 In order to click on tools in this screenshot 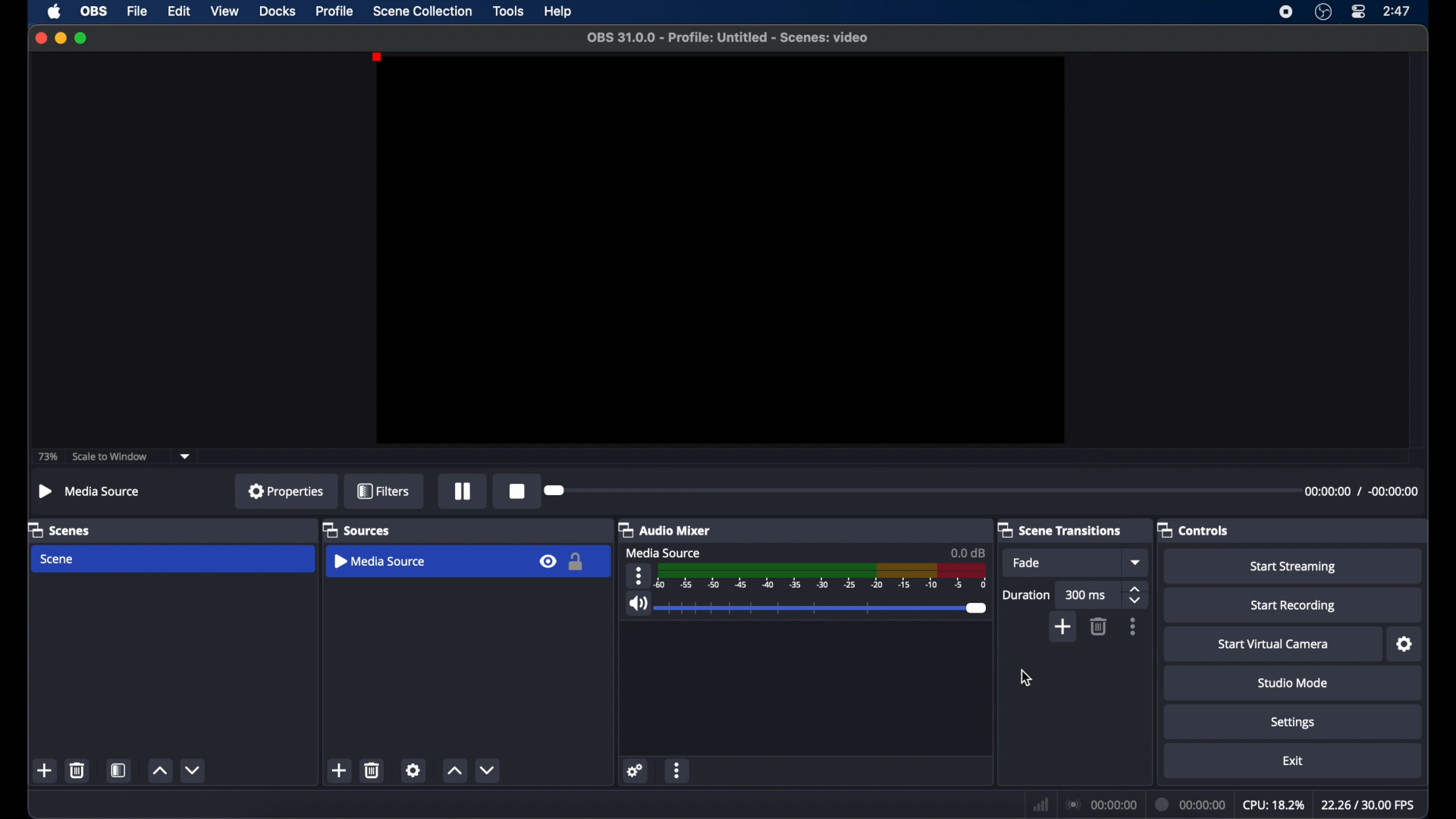, I will do `click(510, 11)`.